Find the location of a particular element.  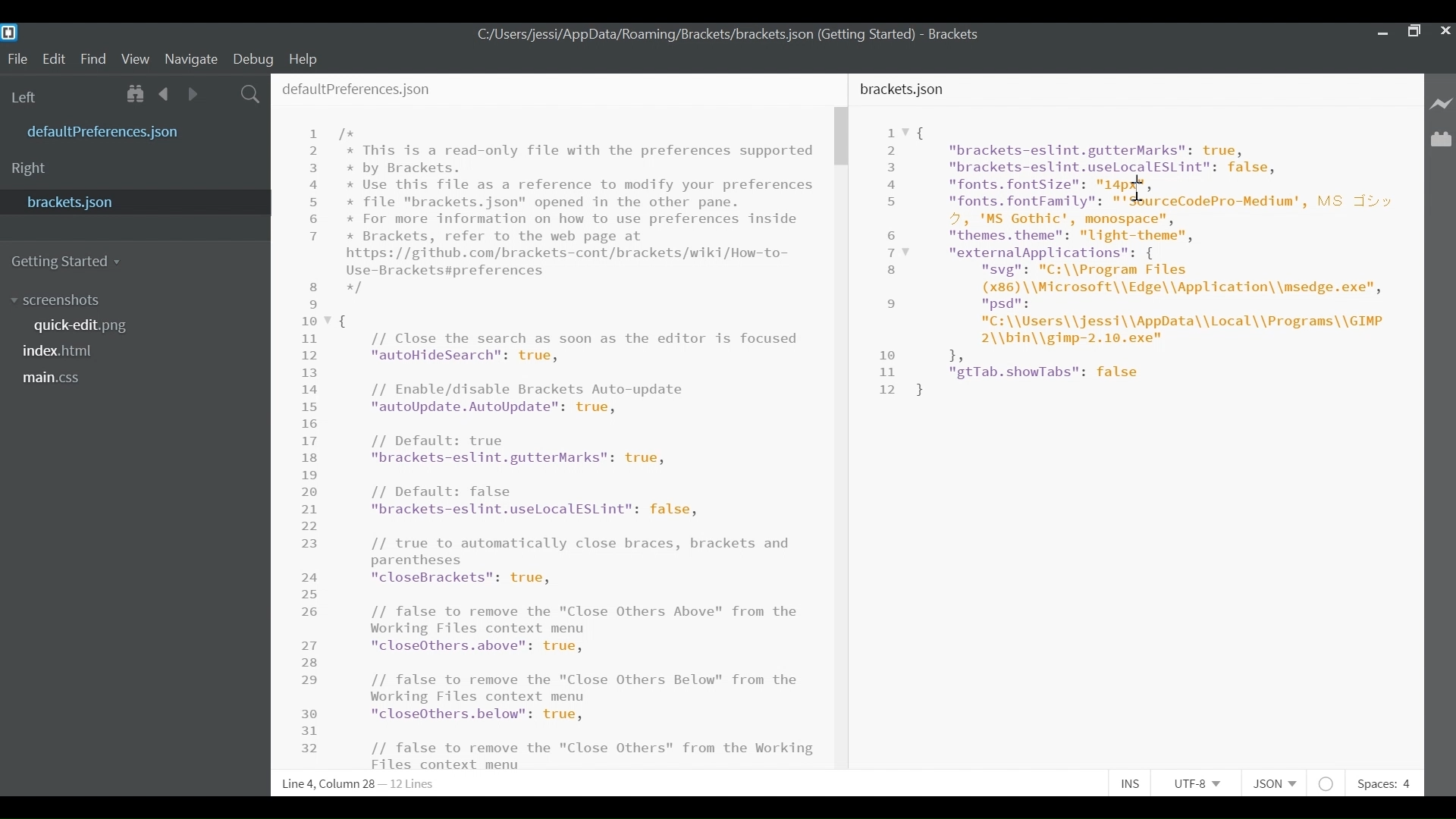

File is located at coordinates (17, 60).